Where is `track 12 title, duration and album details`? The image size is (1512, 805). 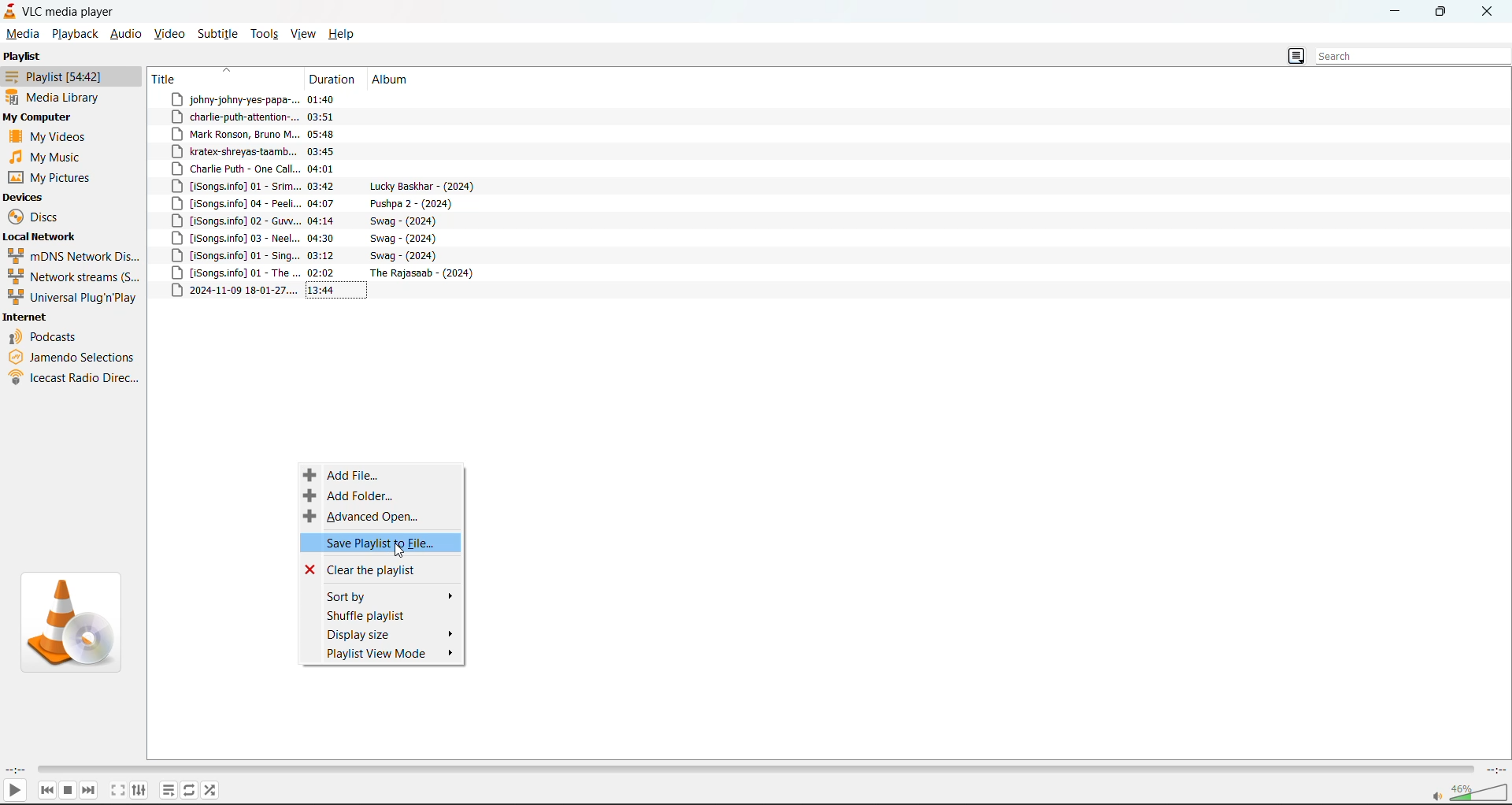 track 12 title, duration and album details is located at coordinates (329, 291).